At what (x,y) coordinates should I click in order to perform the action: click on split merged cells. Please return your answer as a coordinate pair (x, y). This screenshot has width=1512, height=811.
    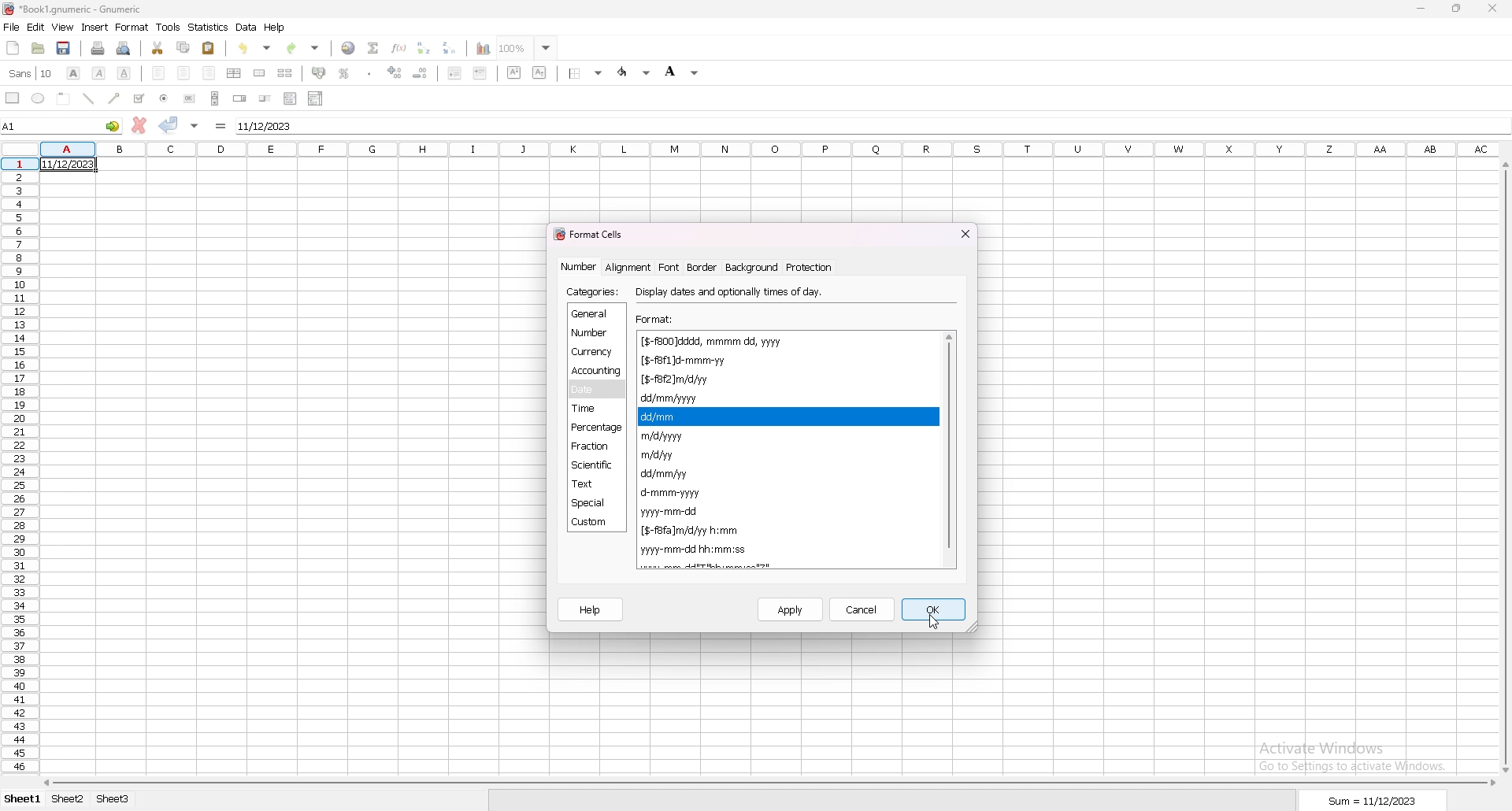
    Looking at the image, I should click on (287, 73).